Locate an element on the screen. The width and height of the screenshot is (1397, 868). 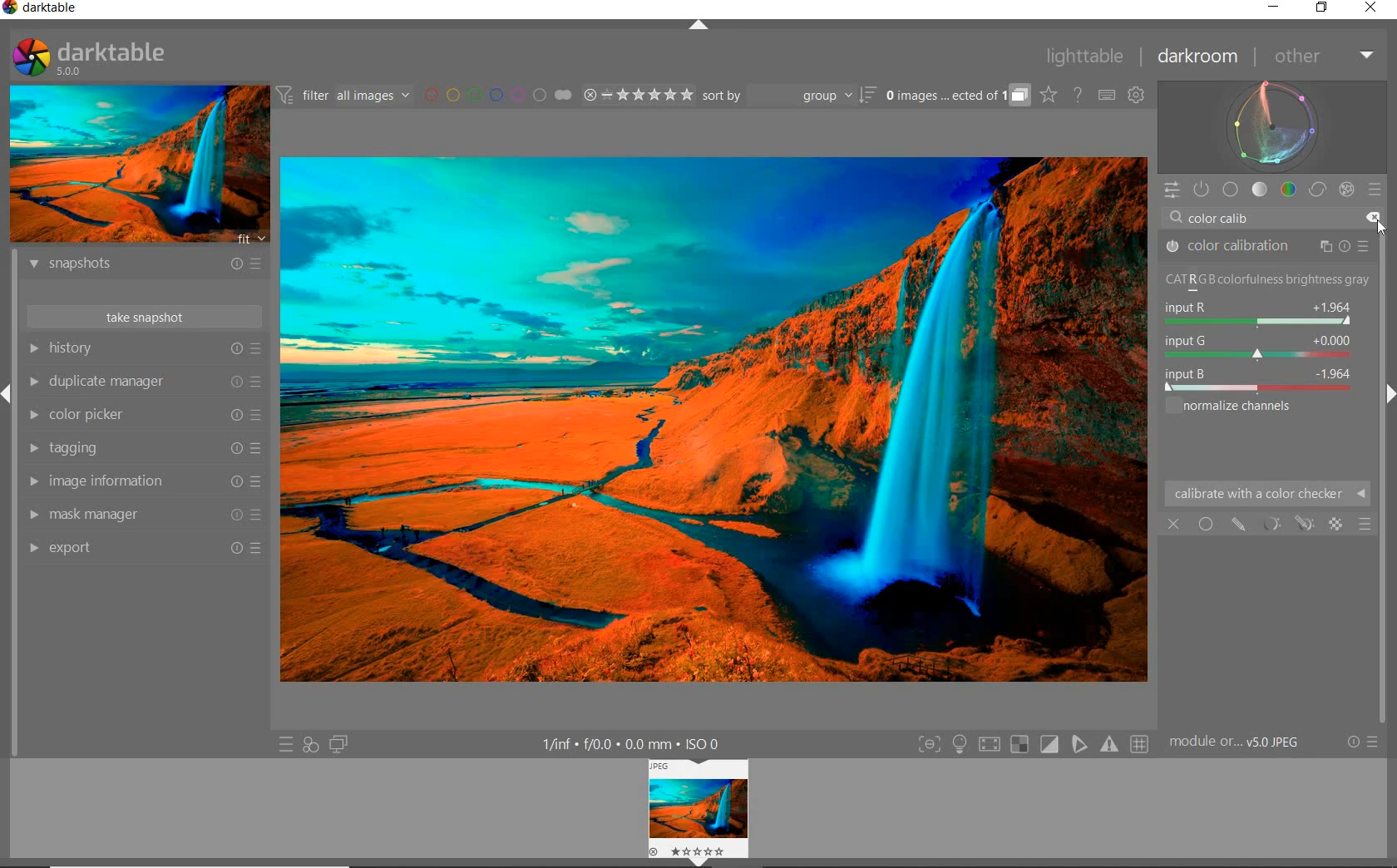
NORMALIZE CHANNELS is located at coordinates (1266, 282).